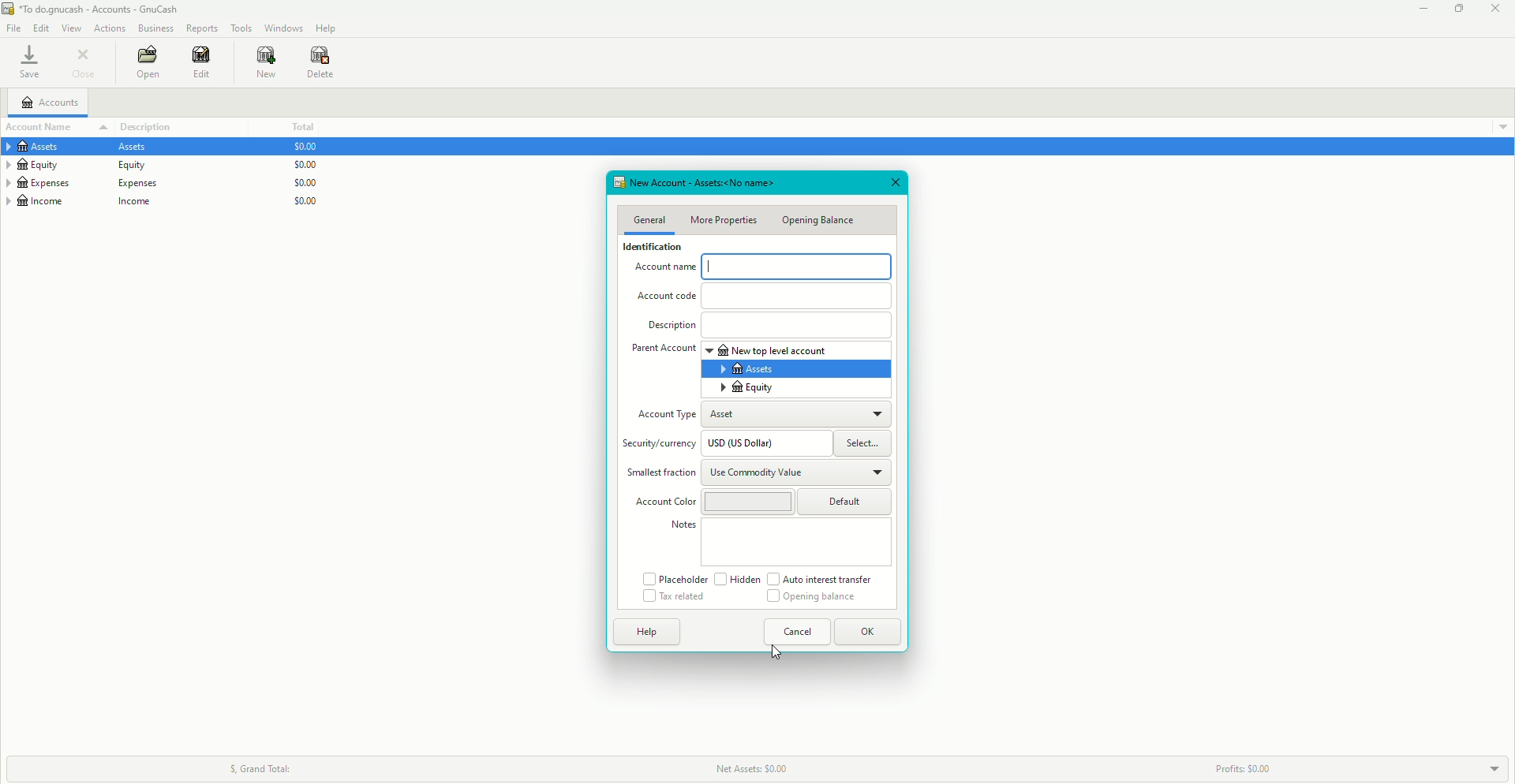 Image resolution: width=1515 pixels, height=784 pixels. What do you see at coordinates (798, 266) in the screenshot?
I see `Typing box for account name` at bounding box center [798, 266].